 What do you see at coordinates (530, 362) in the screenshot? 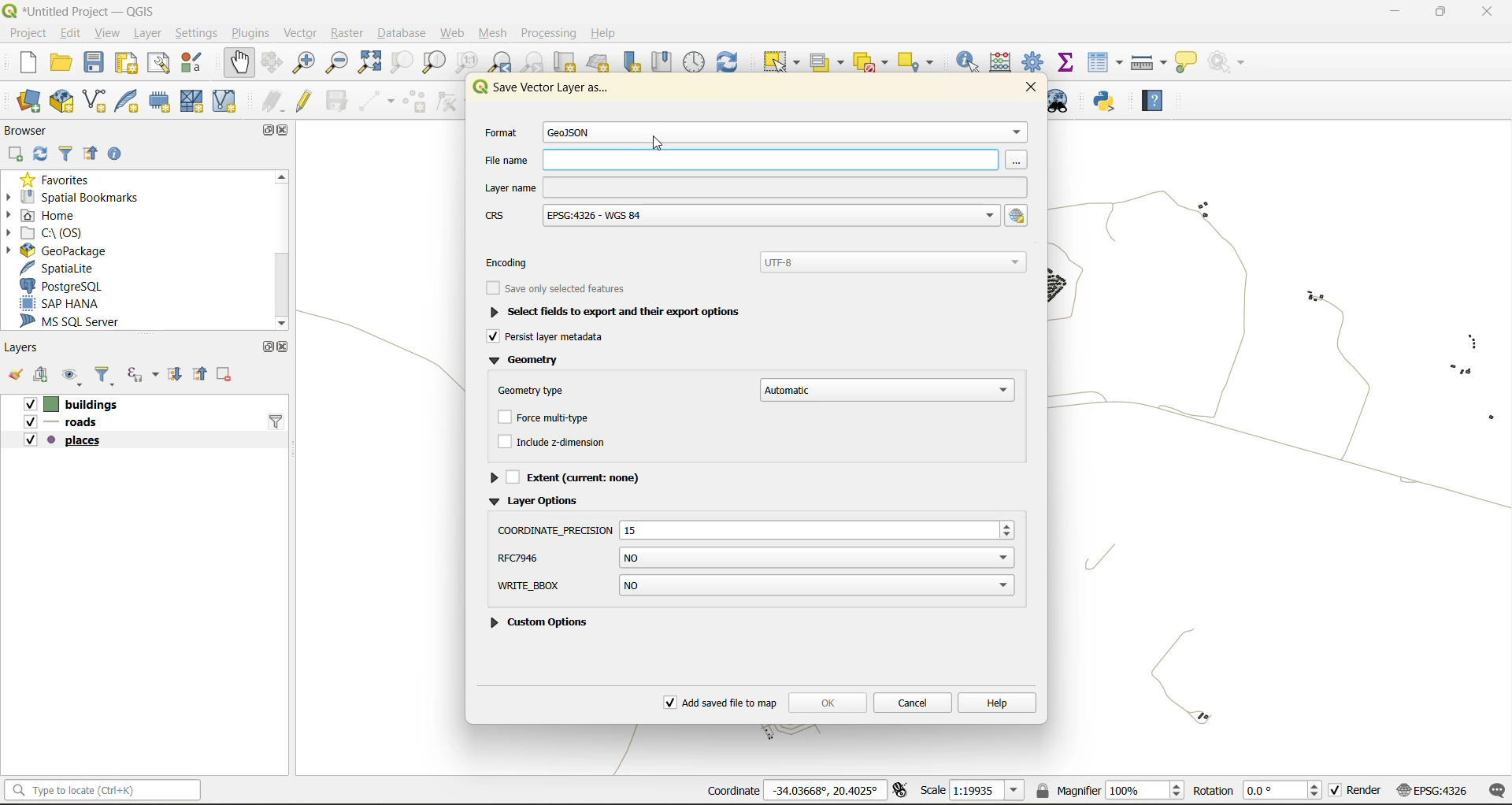
I see `geometry` at bounding box center [530, 362].